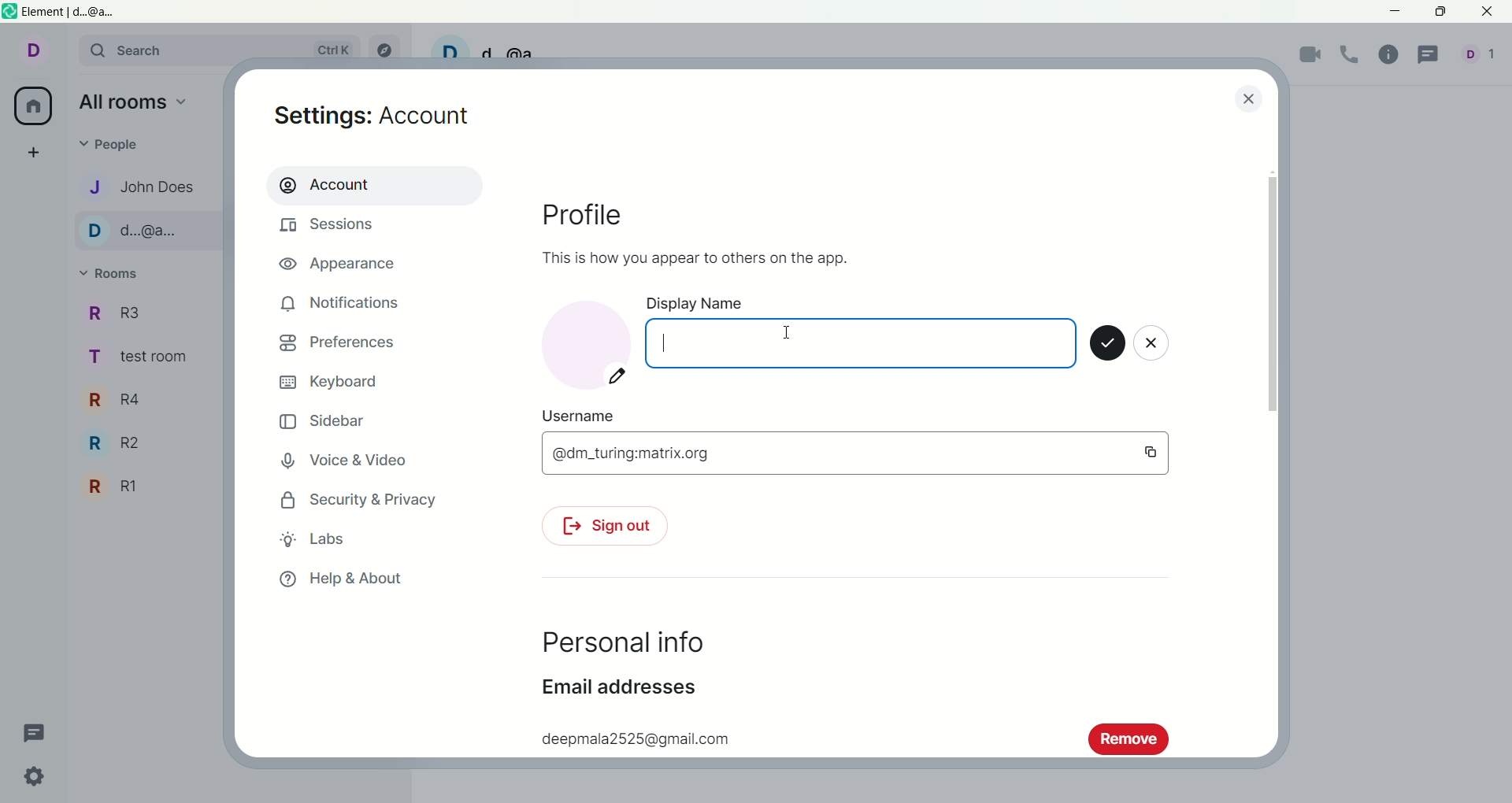 This screenshot has width=1512, height=803. Describe the element at coordinates (861, 452) in the screenshot. I see `@dm_turing:matrix.org` at that location.